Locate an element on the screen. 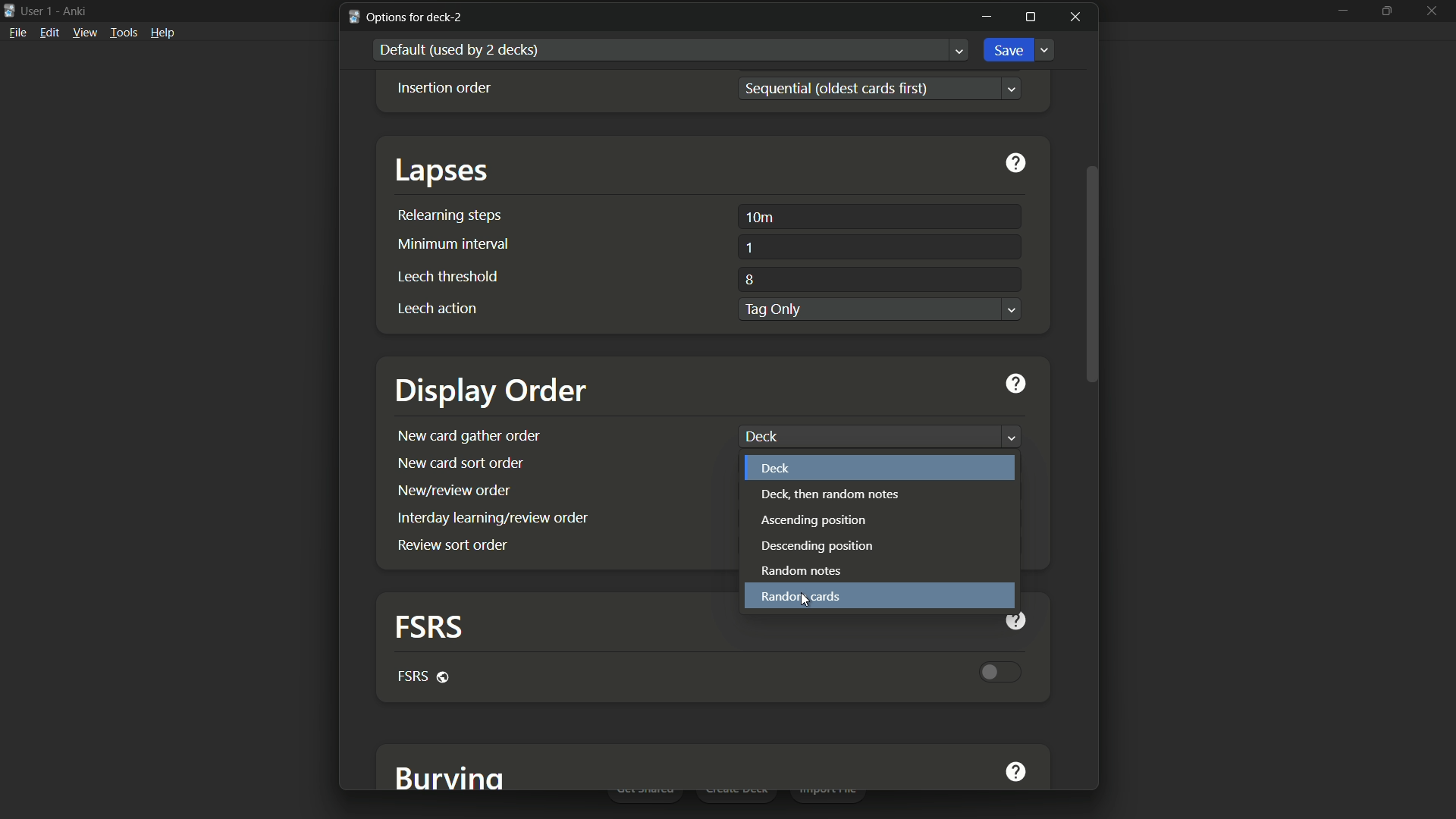 This screenshot has height=819, width=1456. edit menu is located at coordinates (49, 33).